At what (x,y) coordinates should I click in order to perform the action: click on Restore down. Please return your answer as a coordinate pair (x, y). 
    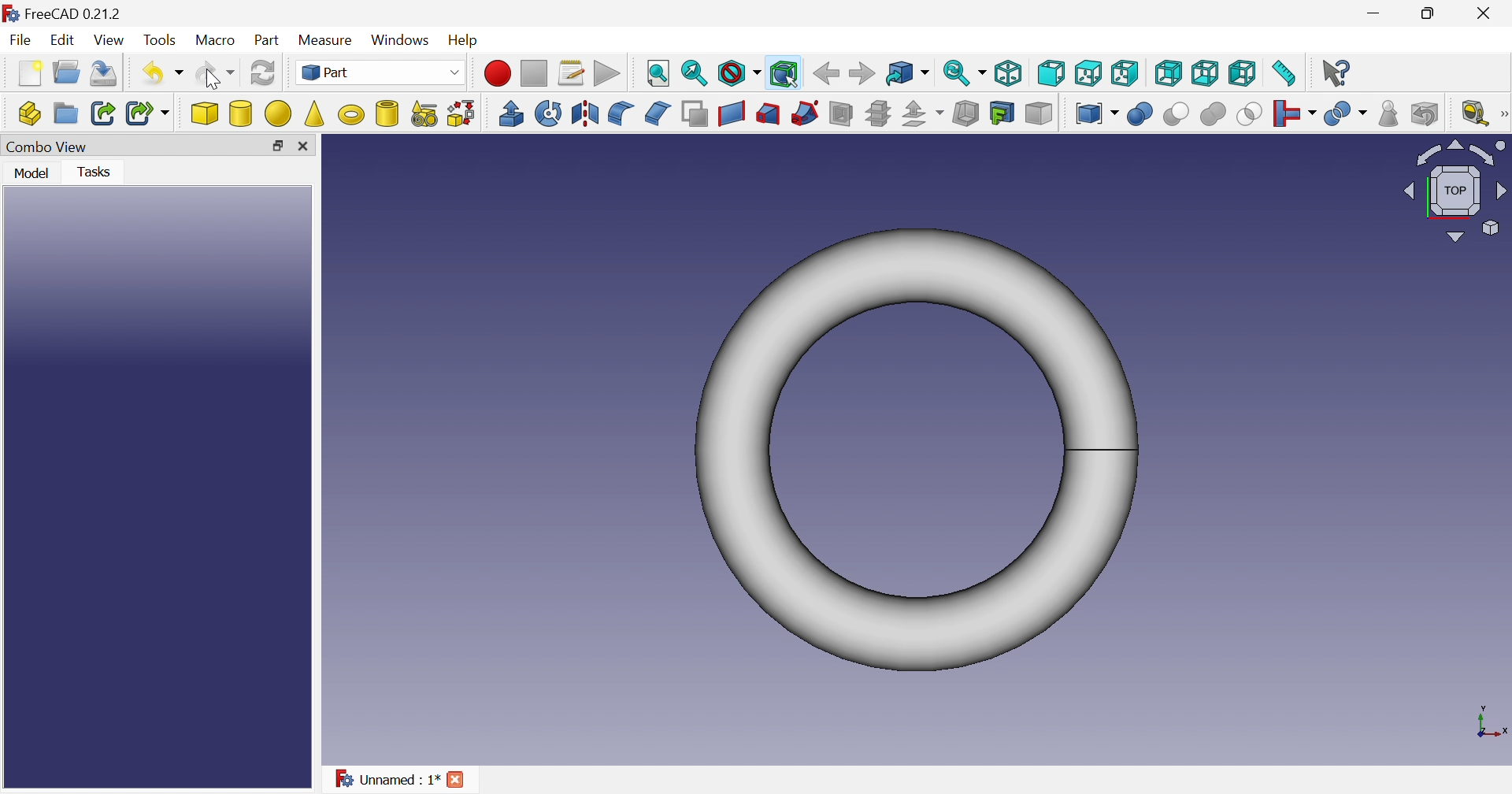
    Looking at the image, I should click on (277, 145).